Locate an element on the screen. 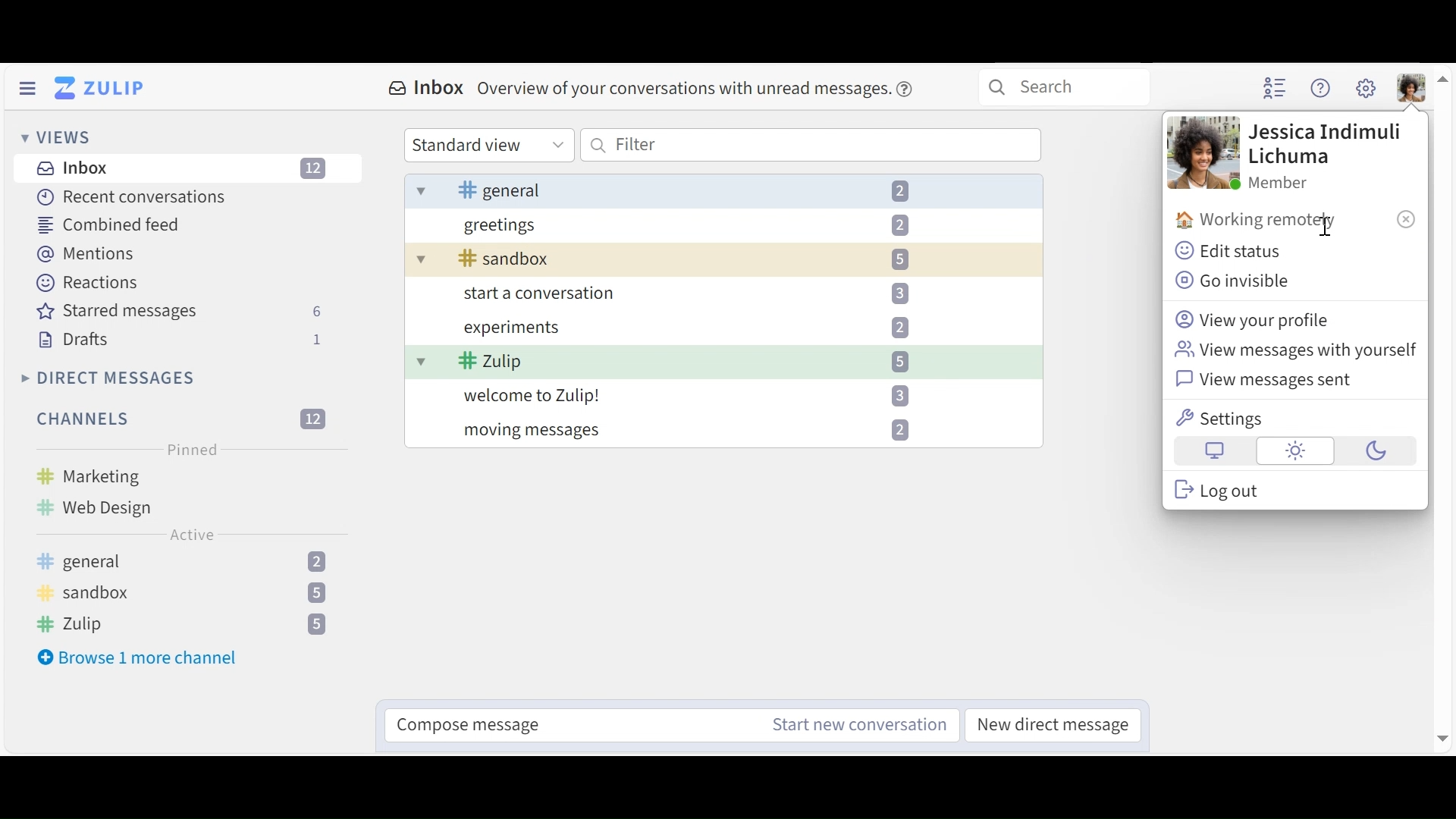 The image size is (1456, 819). User name is located at coordinates (1330, 143).